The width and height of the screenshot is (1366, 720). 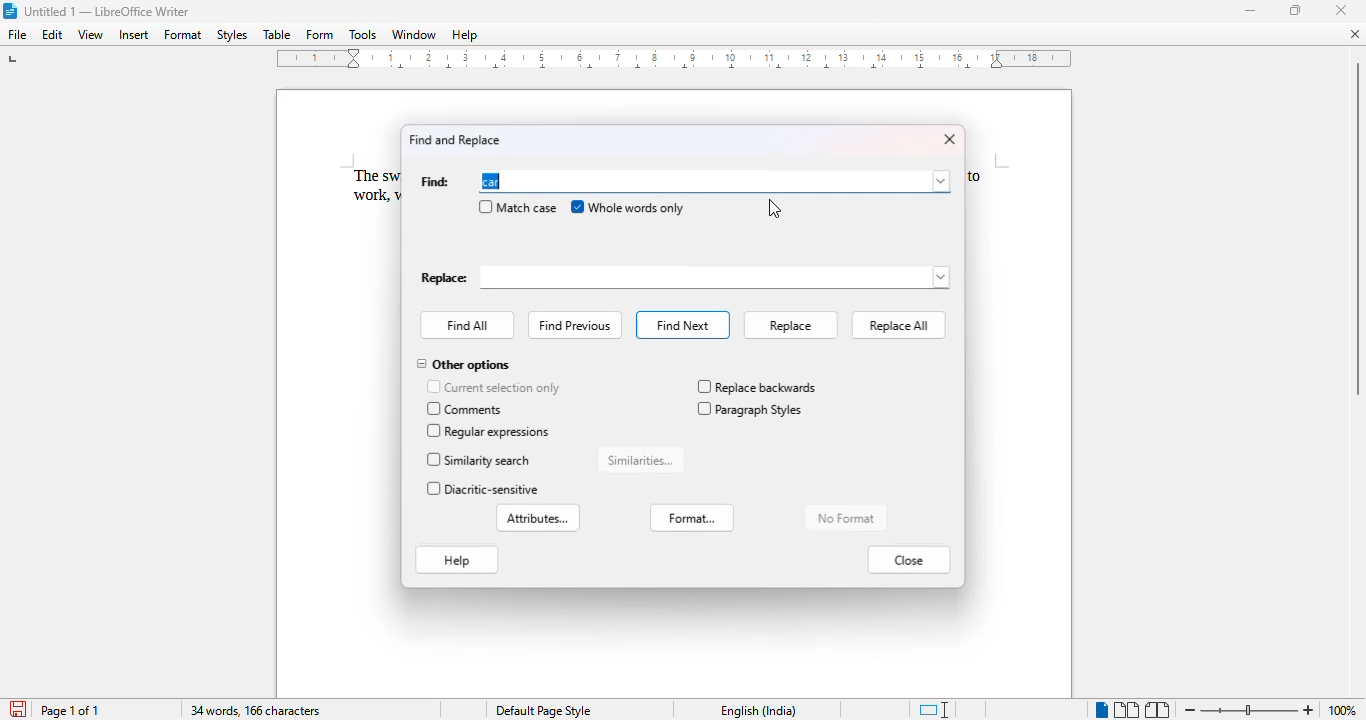 What do you see at coordinates (70, 710) in the screenshot?
I see `page 1 of 1` at bounding box center [70, 710].